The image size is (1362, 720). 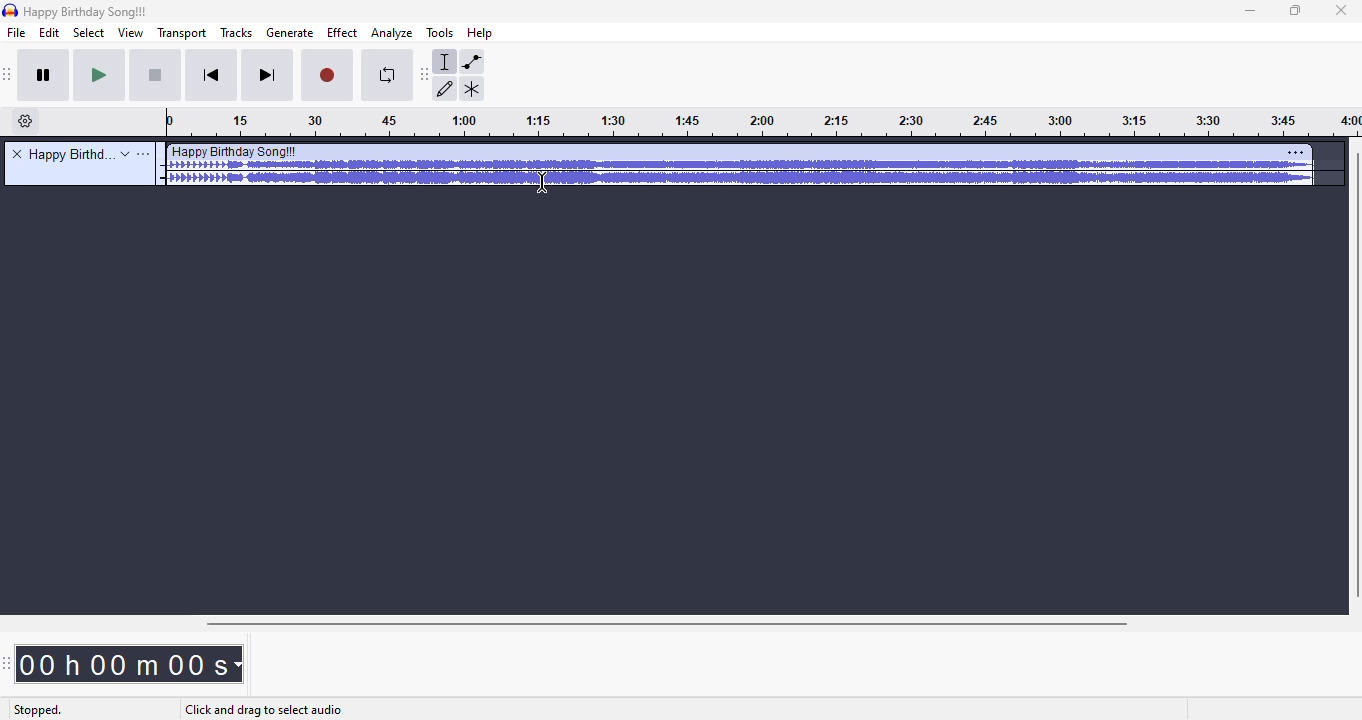 What do you see at coordinates (157, 77) in the screenshot?
I see `stop` at bounding box center [157, 77].